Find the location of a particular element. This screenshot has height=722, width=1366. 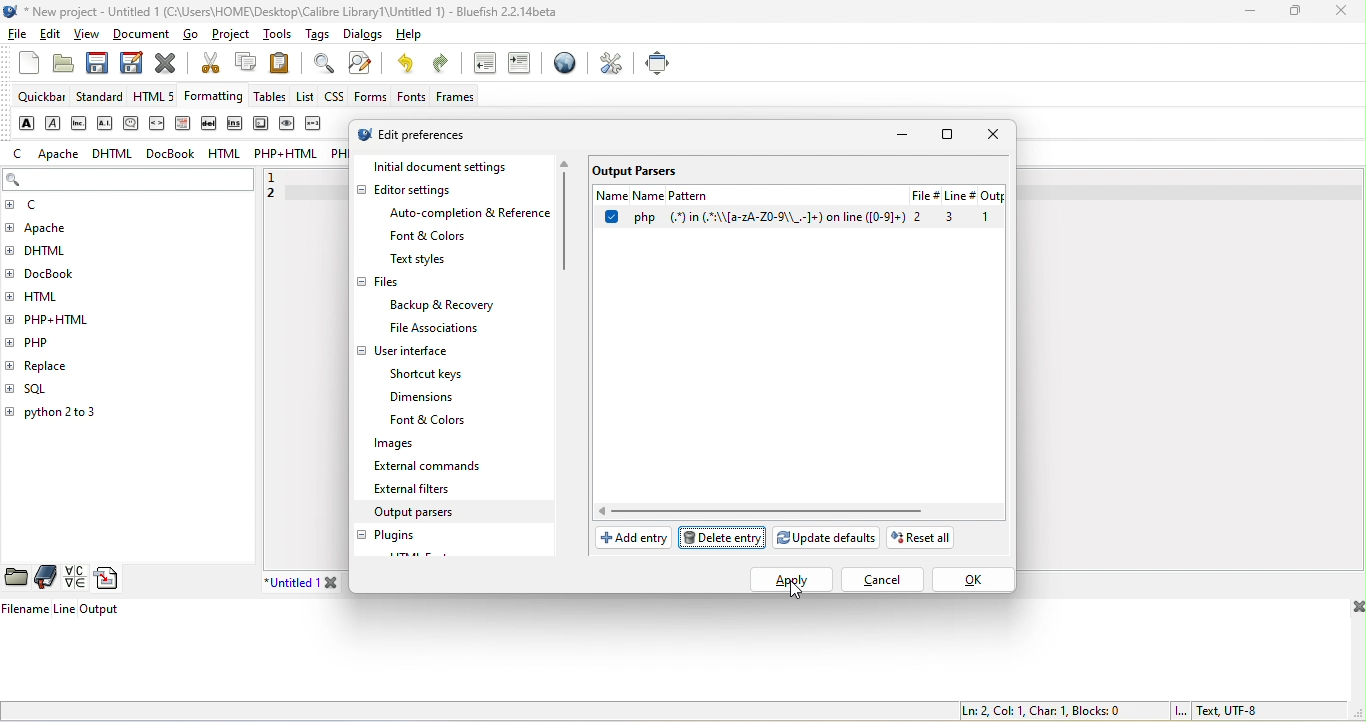

docbook is located at coordinates (174, 154).